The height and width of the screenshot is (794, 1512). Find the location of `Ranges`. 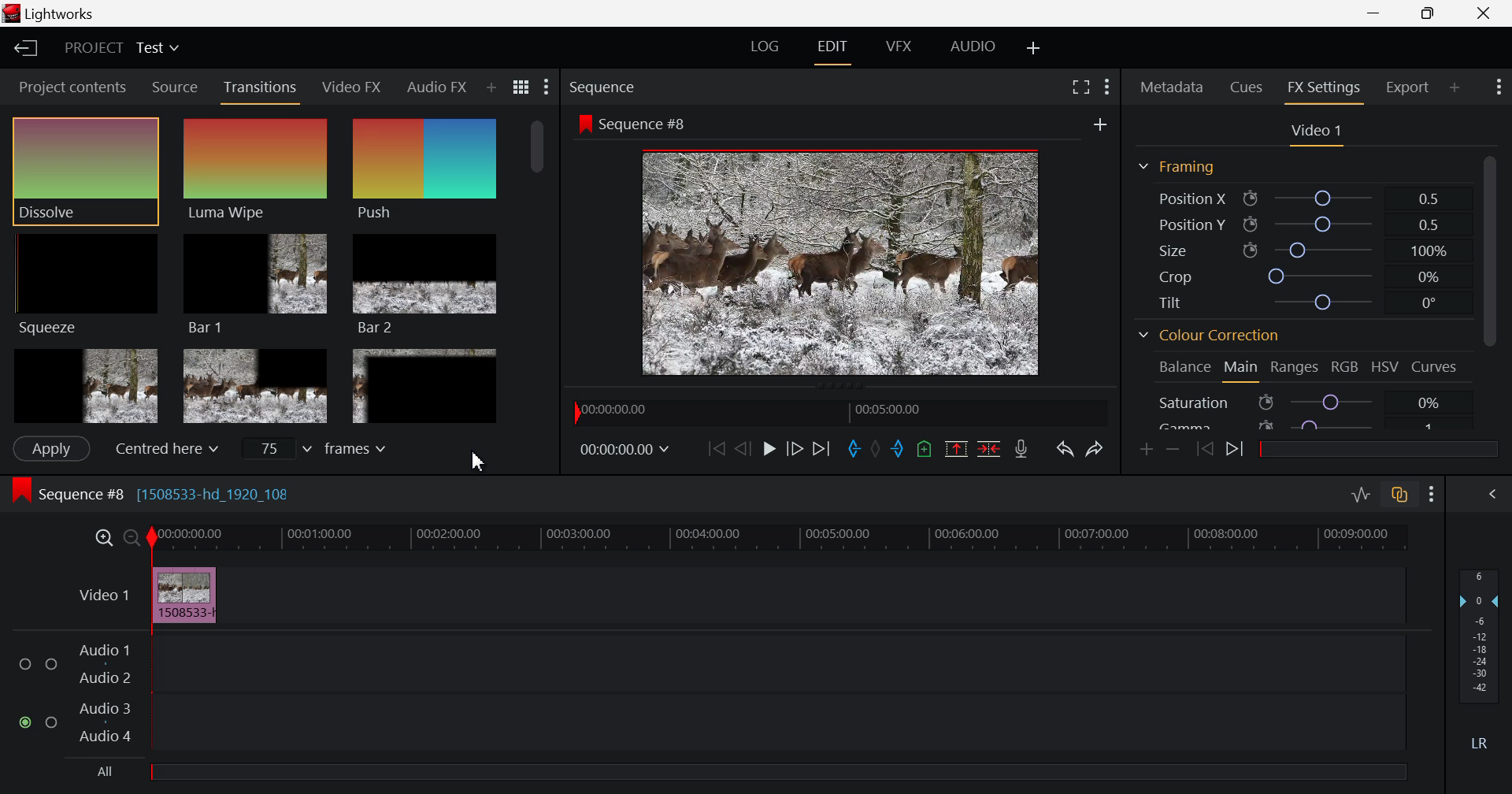

Ranges is located at coordinates (1298, 368).